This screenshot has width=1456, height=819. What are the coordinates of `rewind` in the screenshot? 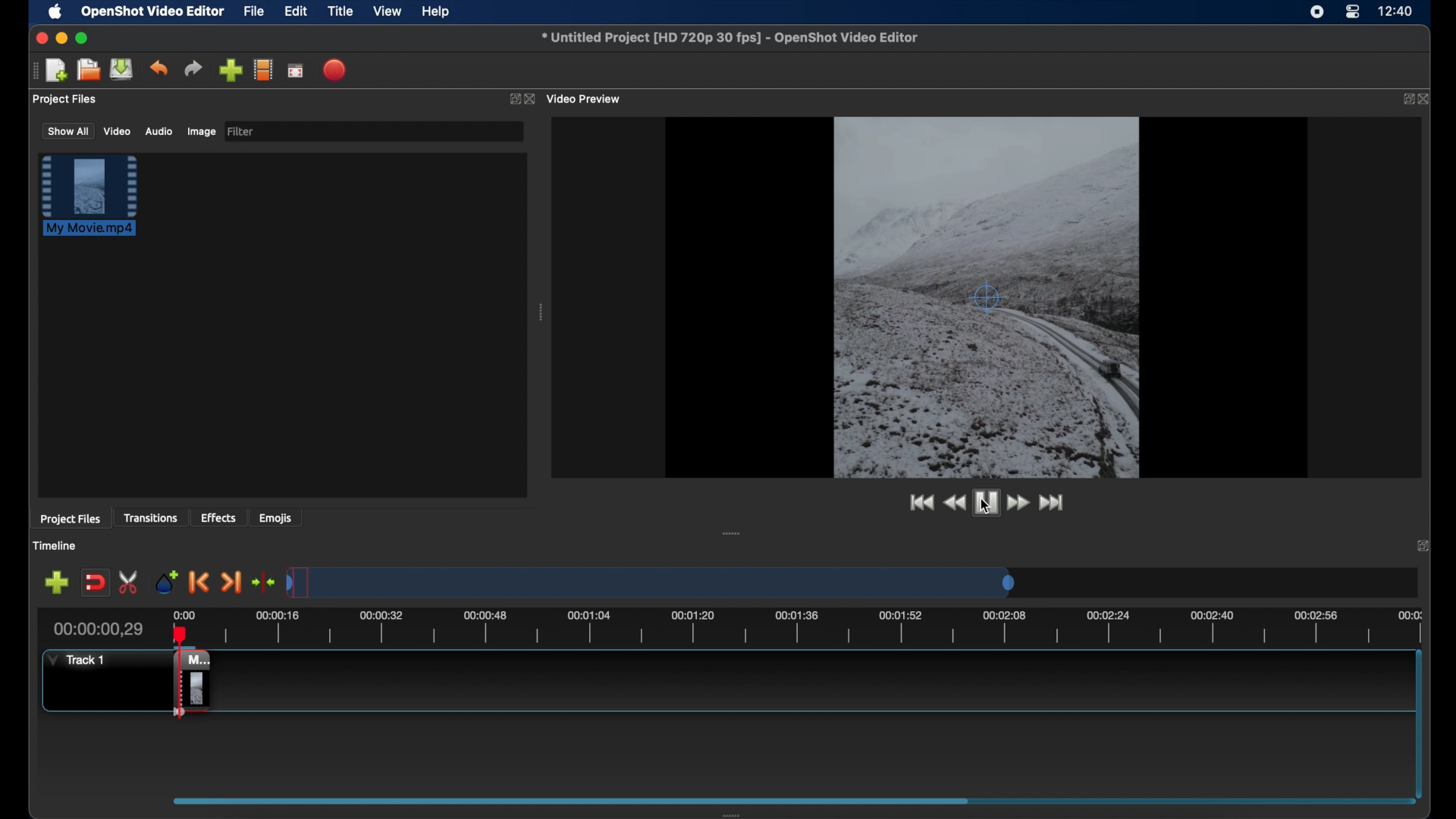 It's located at (951, 503).